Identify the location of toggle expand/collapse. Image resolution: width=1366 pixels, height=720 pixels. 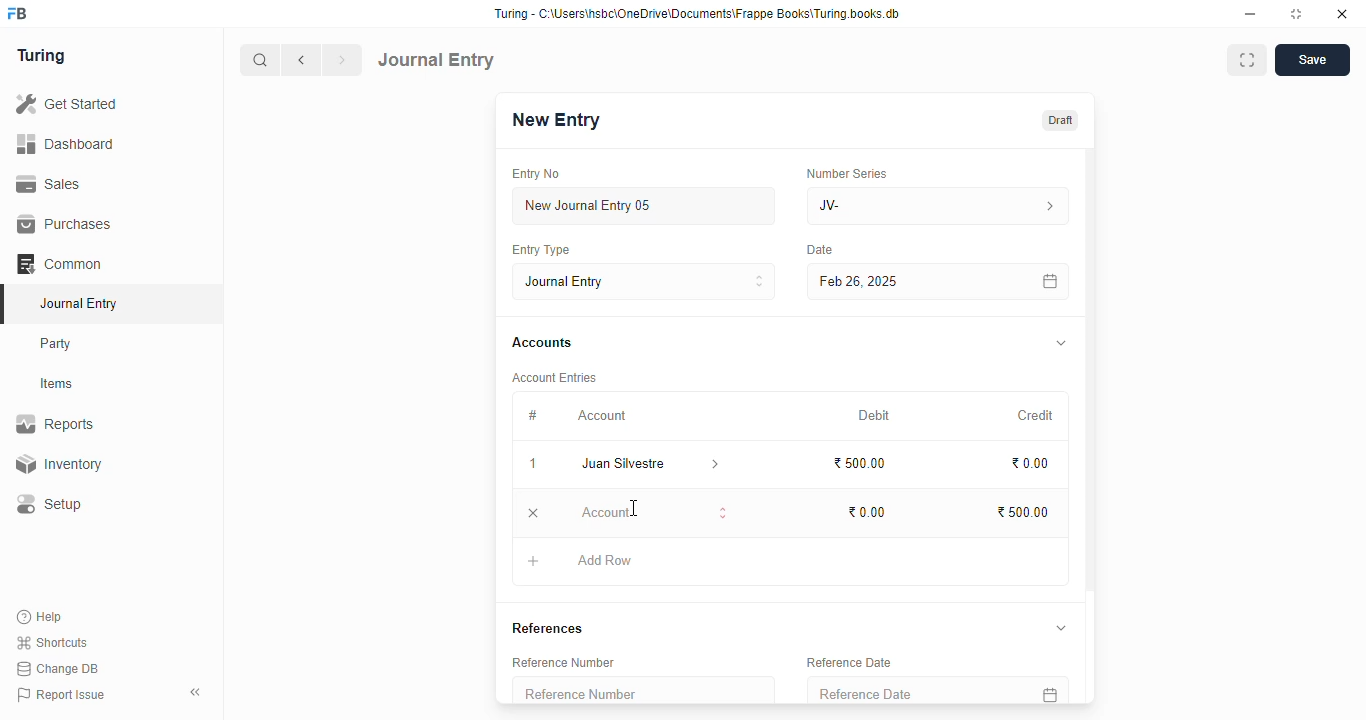
(1062, 344).